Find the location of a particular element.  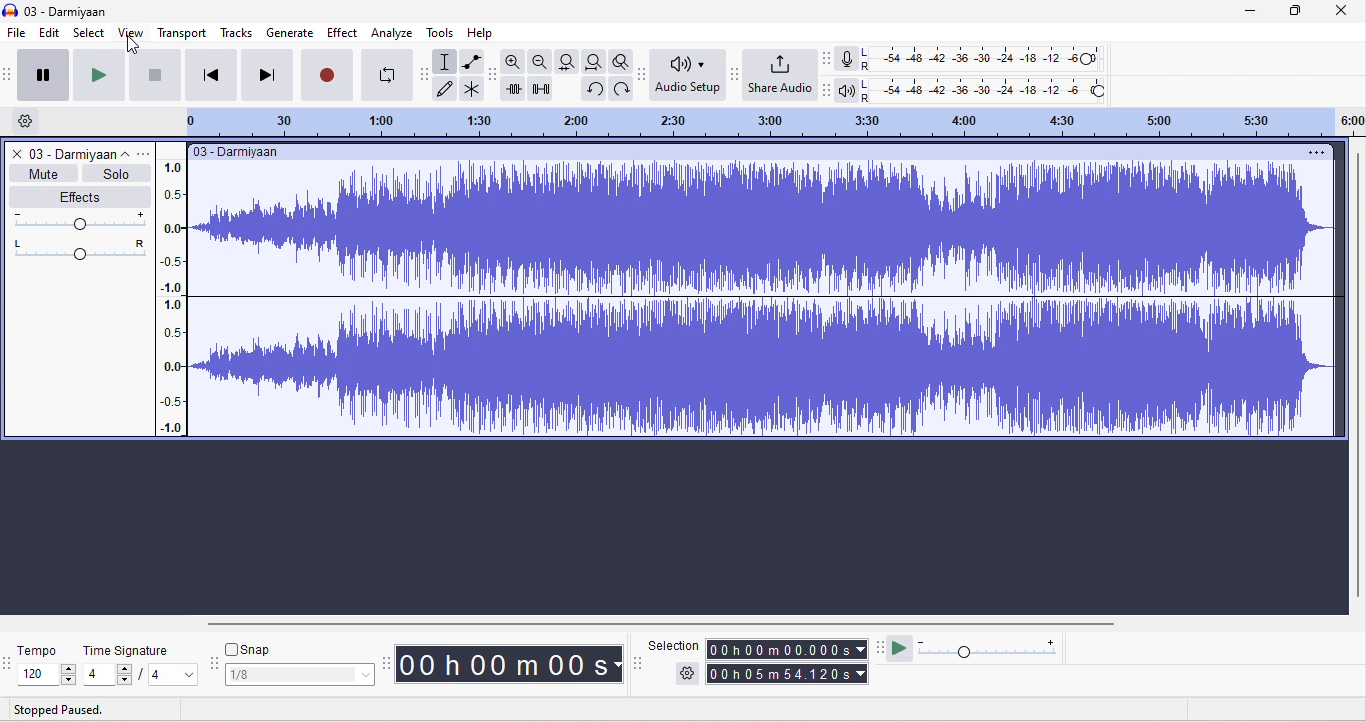

L is located at coordinates (866, 52).